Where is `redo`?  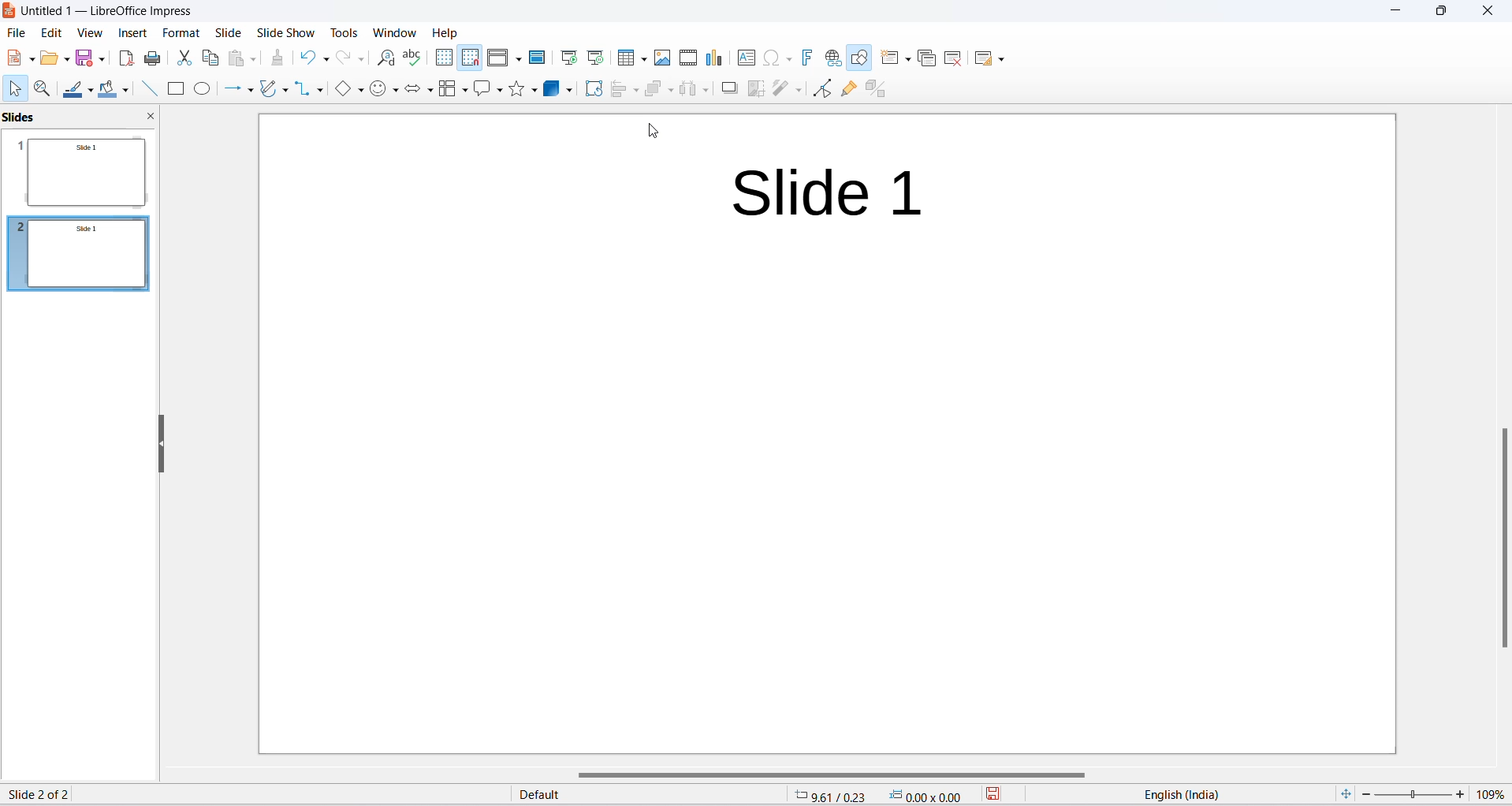
redo is located at coordinates (350, 59).